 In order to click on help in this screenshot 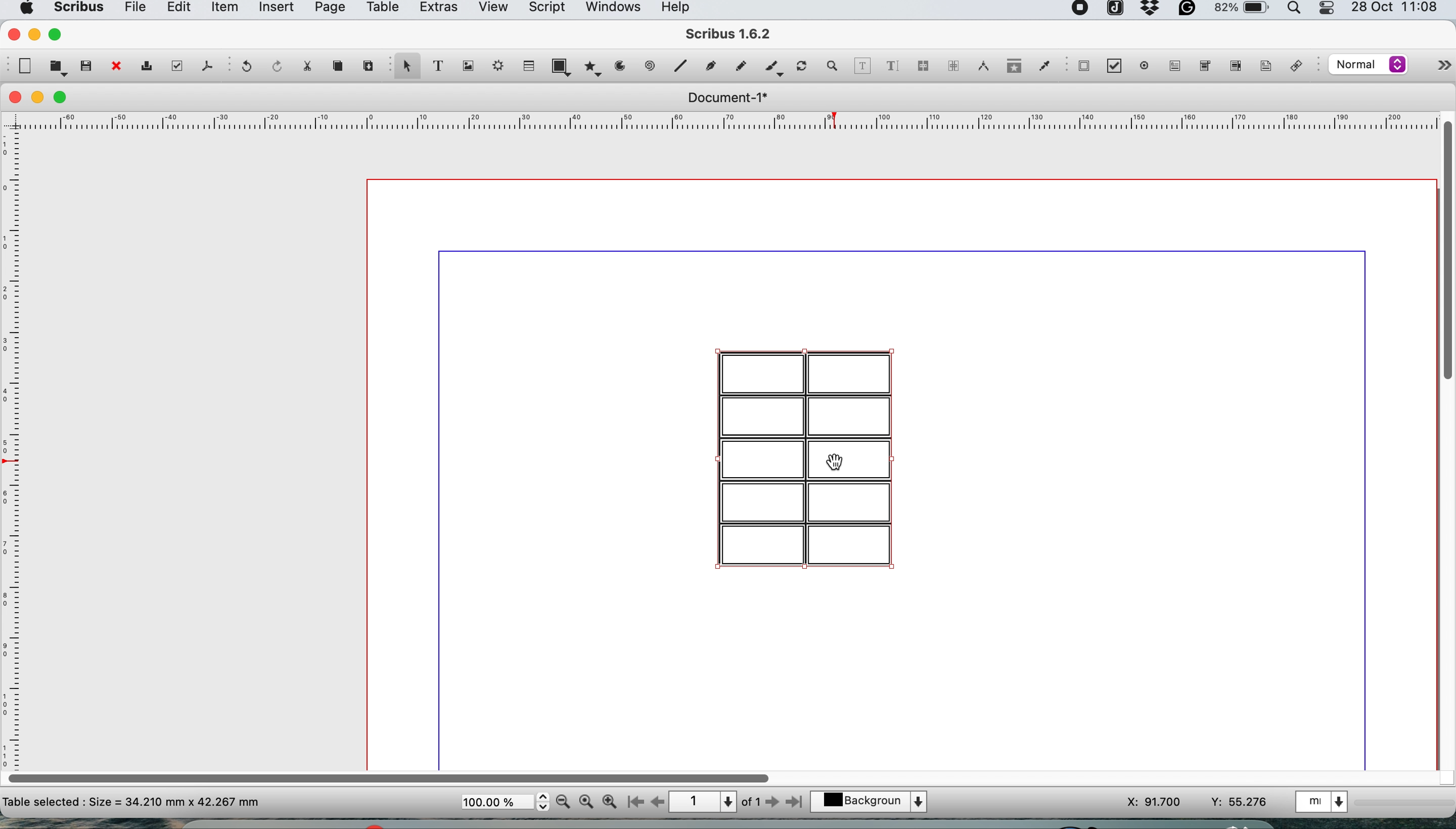, I will do `click(681, 9)`.